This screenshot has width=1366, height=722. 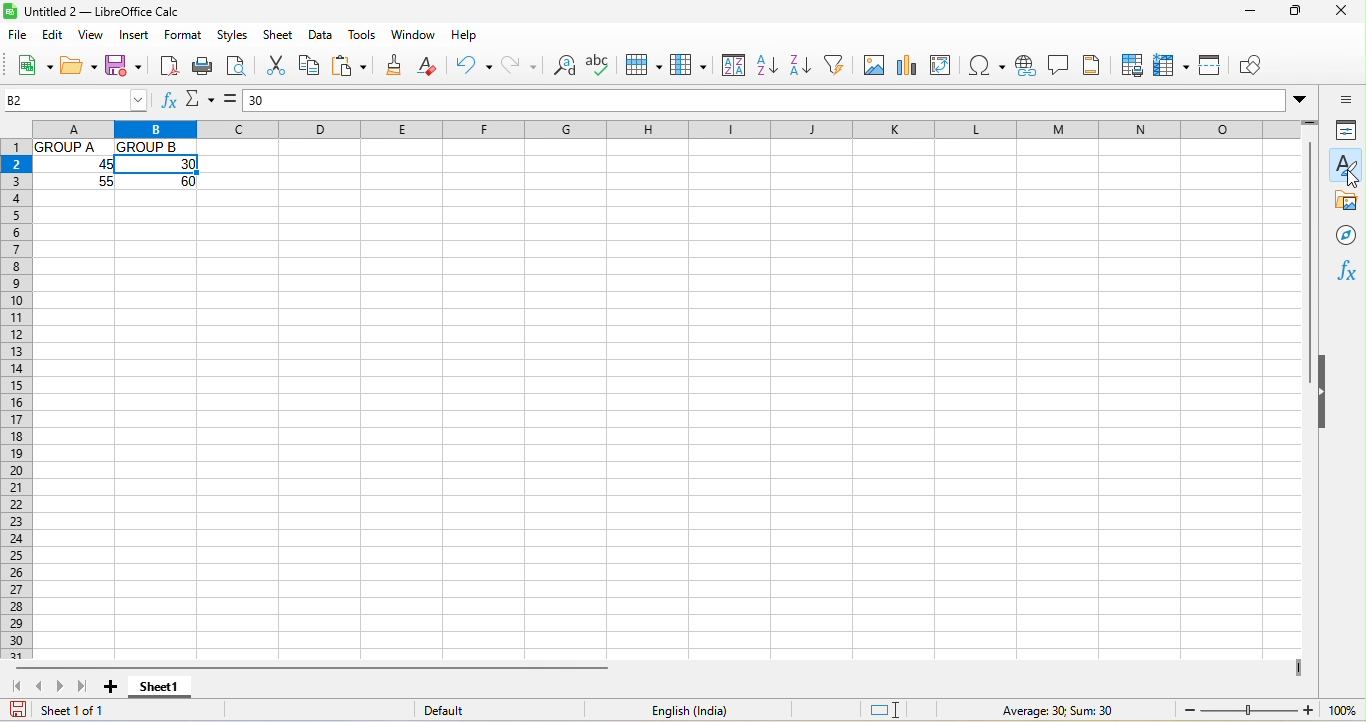 I want to click on 45, so click(x=93, y=165).